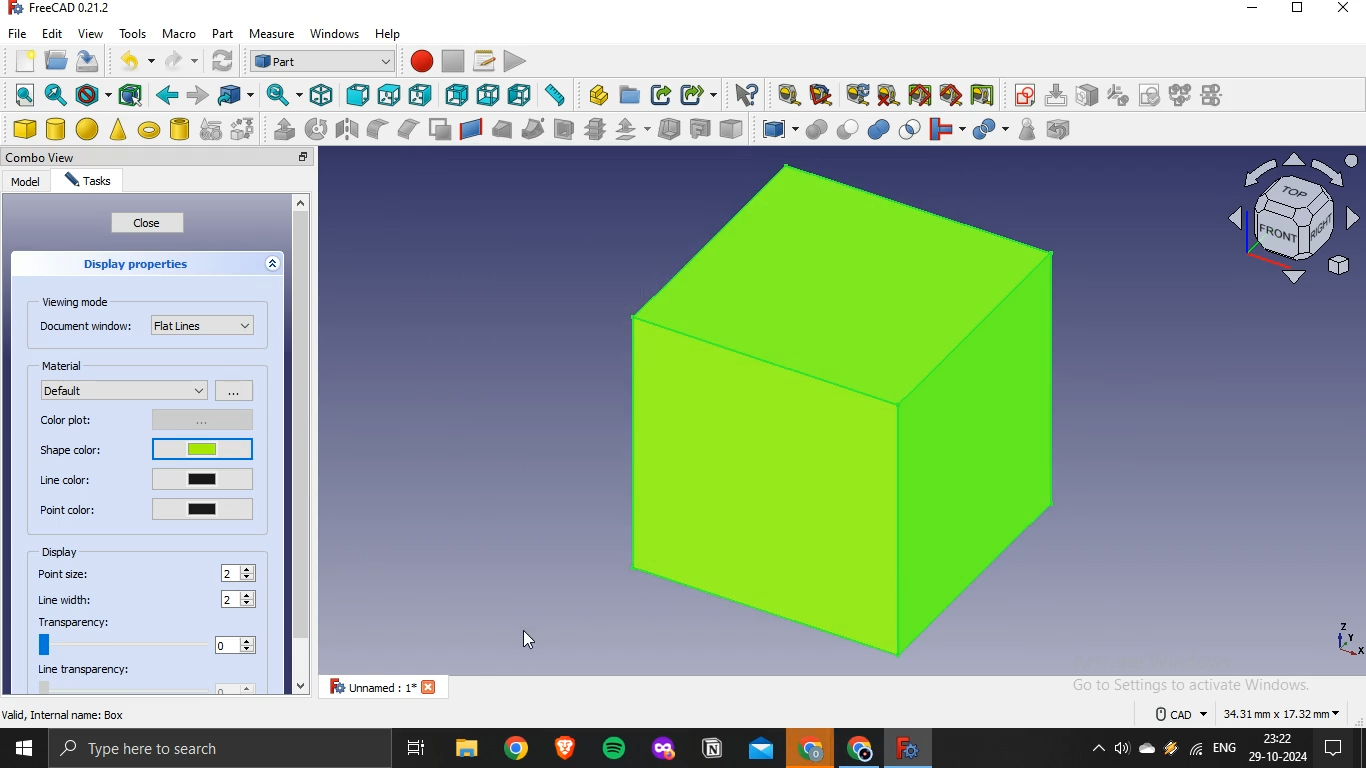 This screenshot has height=768, width=1366. Describe the element at coordinates (166, 95) in the screenshot. I see `backward` at that location.